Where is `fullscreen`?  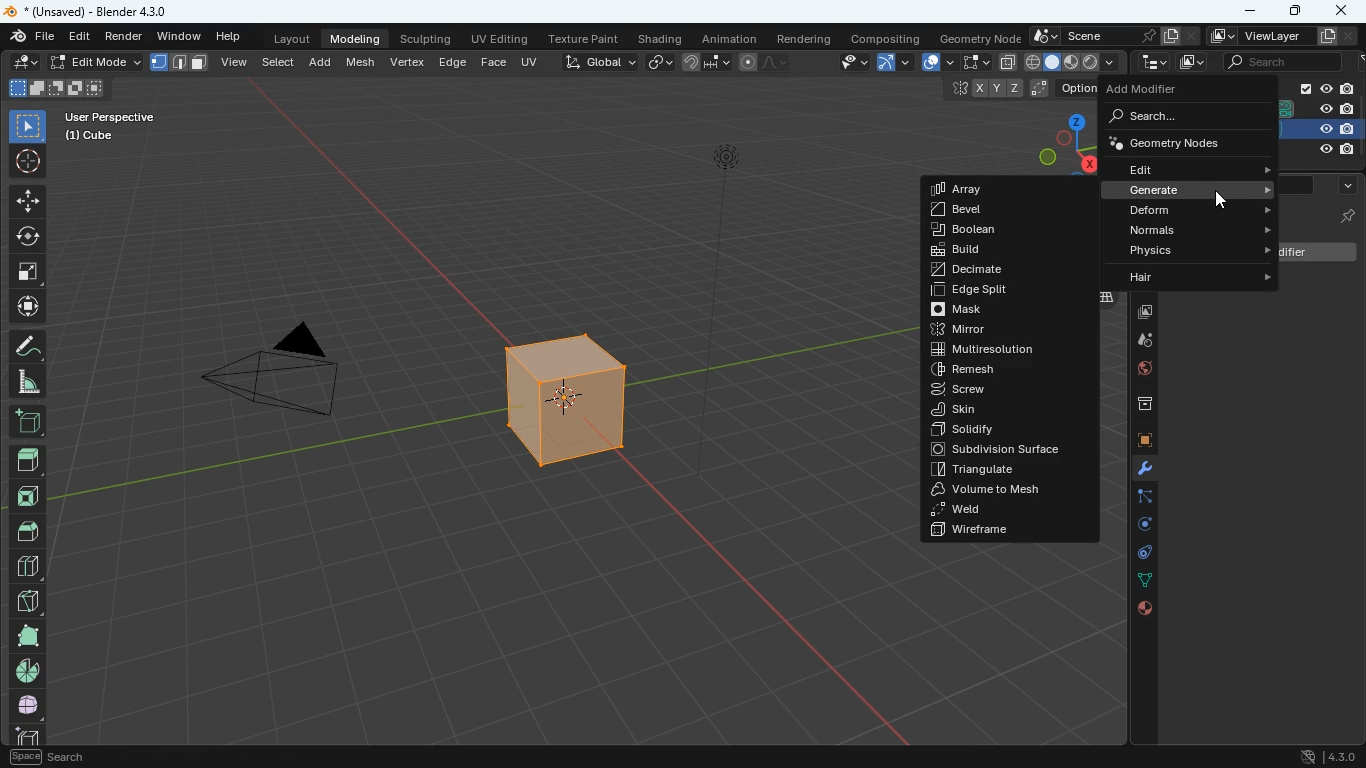 fullscreen is located at coordinates (969, 61).